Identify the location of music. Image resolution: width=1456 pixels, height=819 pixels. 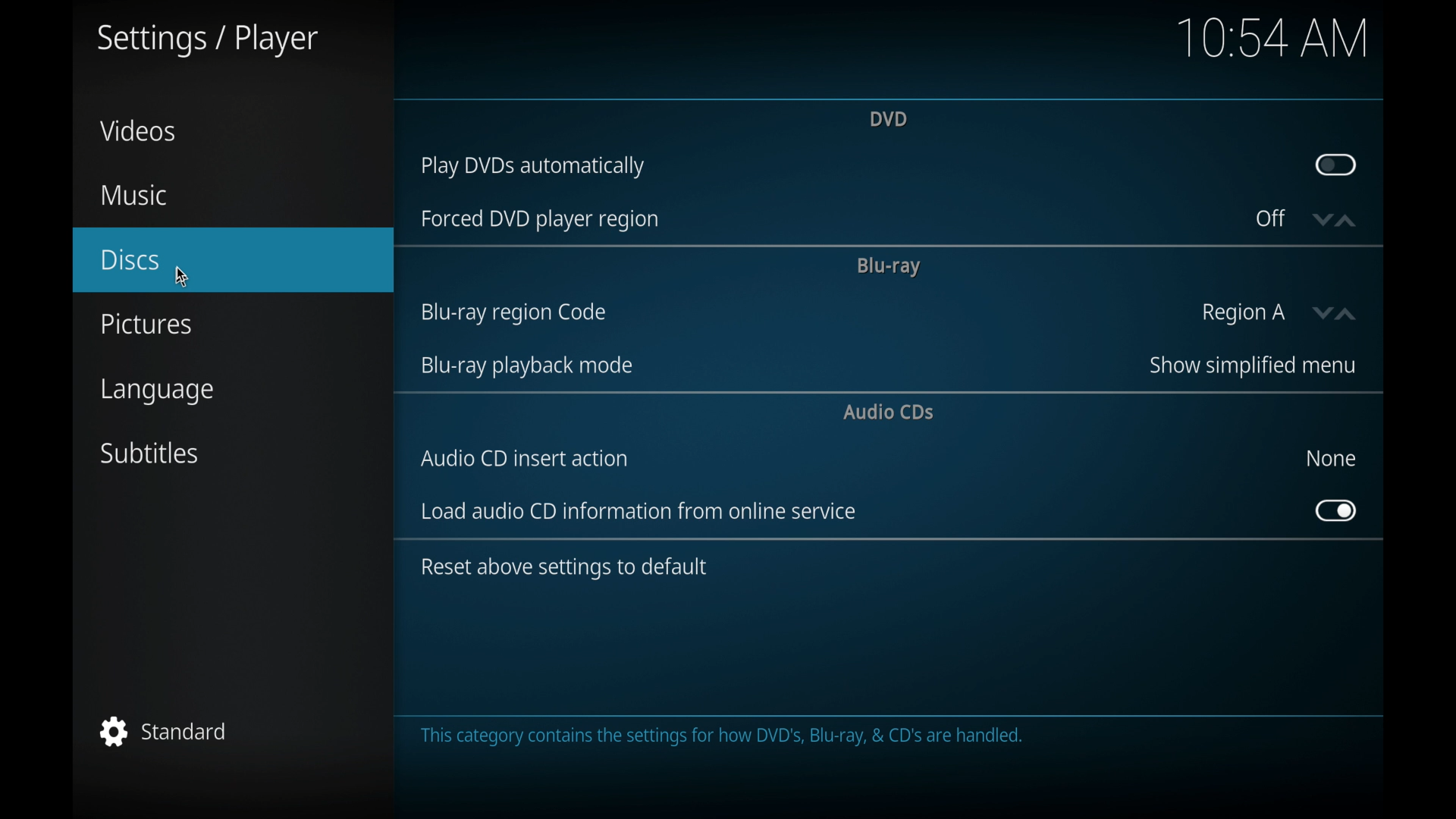
(133, 196).